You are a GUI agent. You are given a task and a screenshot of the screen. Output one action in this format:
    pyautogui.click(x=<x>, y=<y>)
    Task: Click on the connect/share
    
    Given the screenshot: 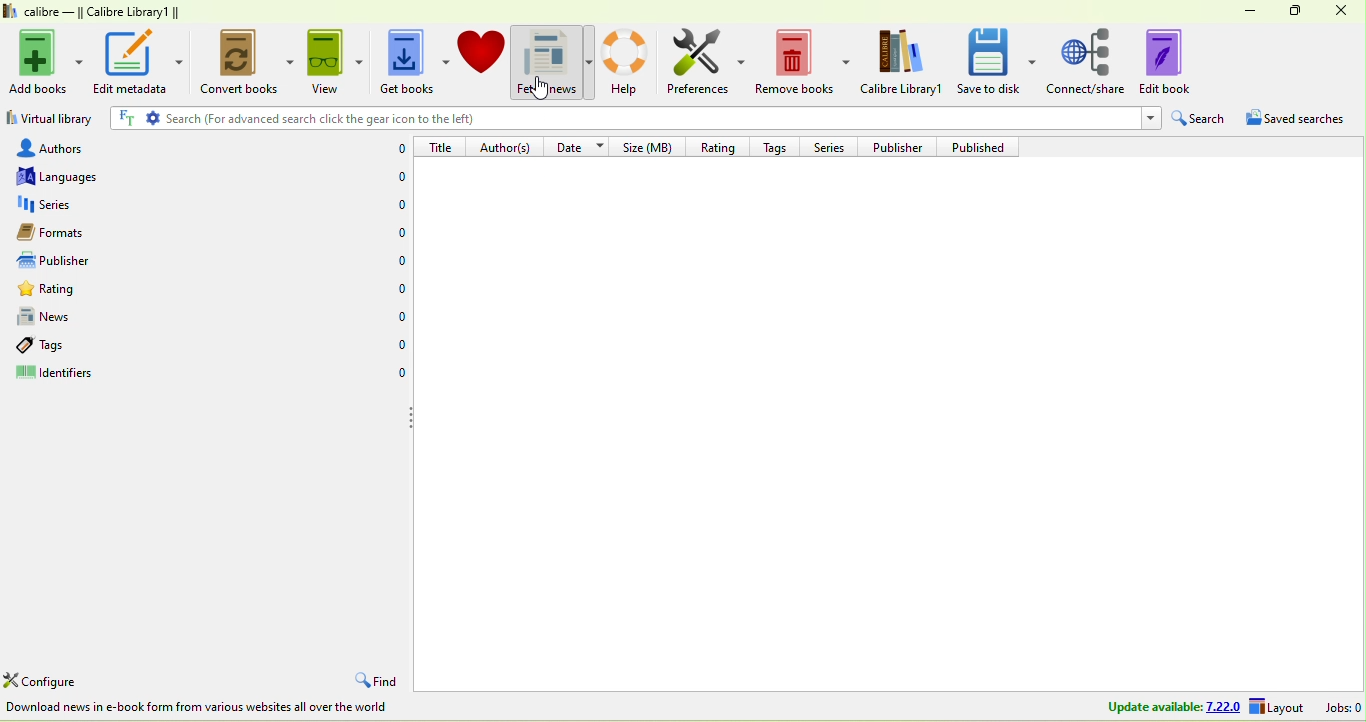 What is the action you would take?
    pyautogui.click(x=1089, y=62)
    